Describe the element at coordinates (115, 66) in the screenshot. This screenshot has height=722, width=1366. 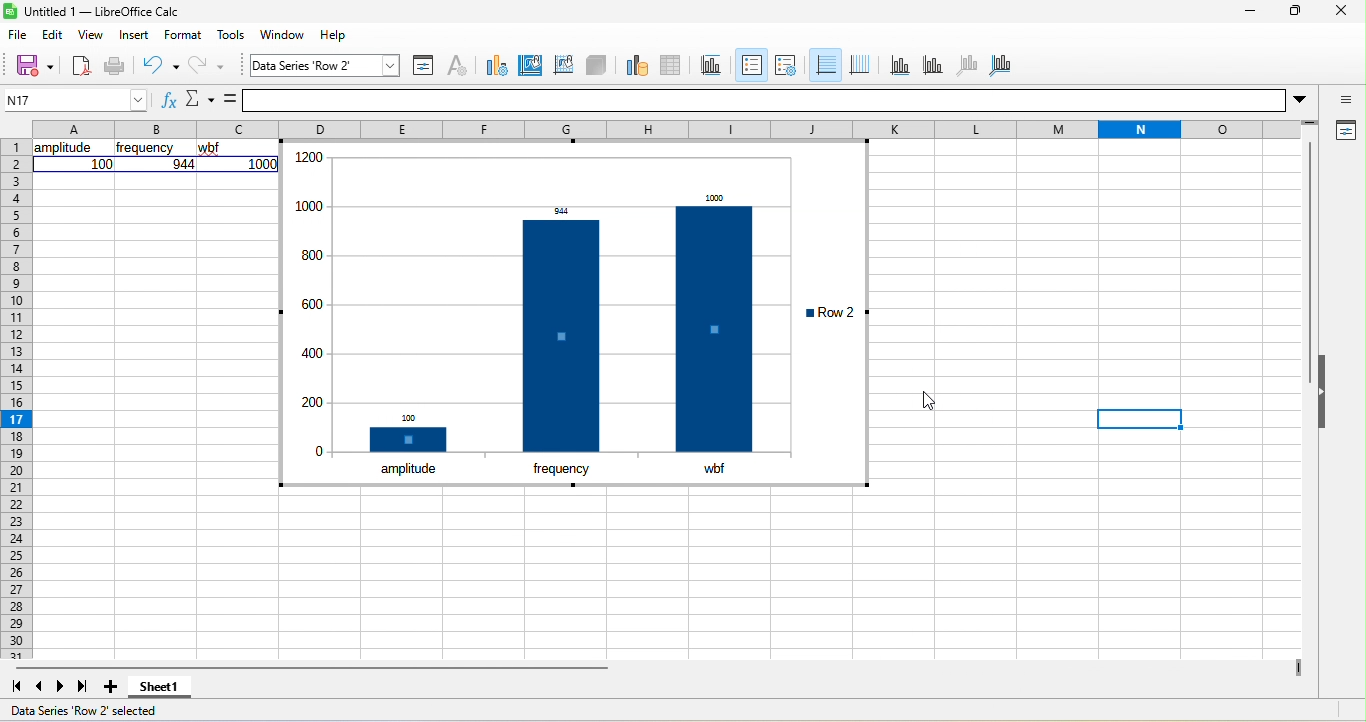
I see `print` at that location.